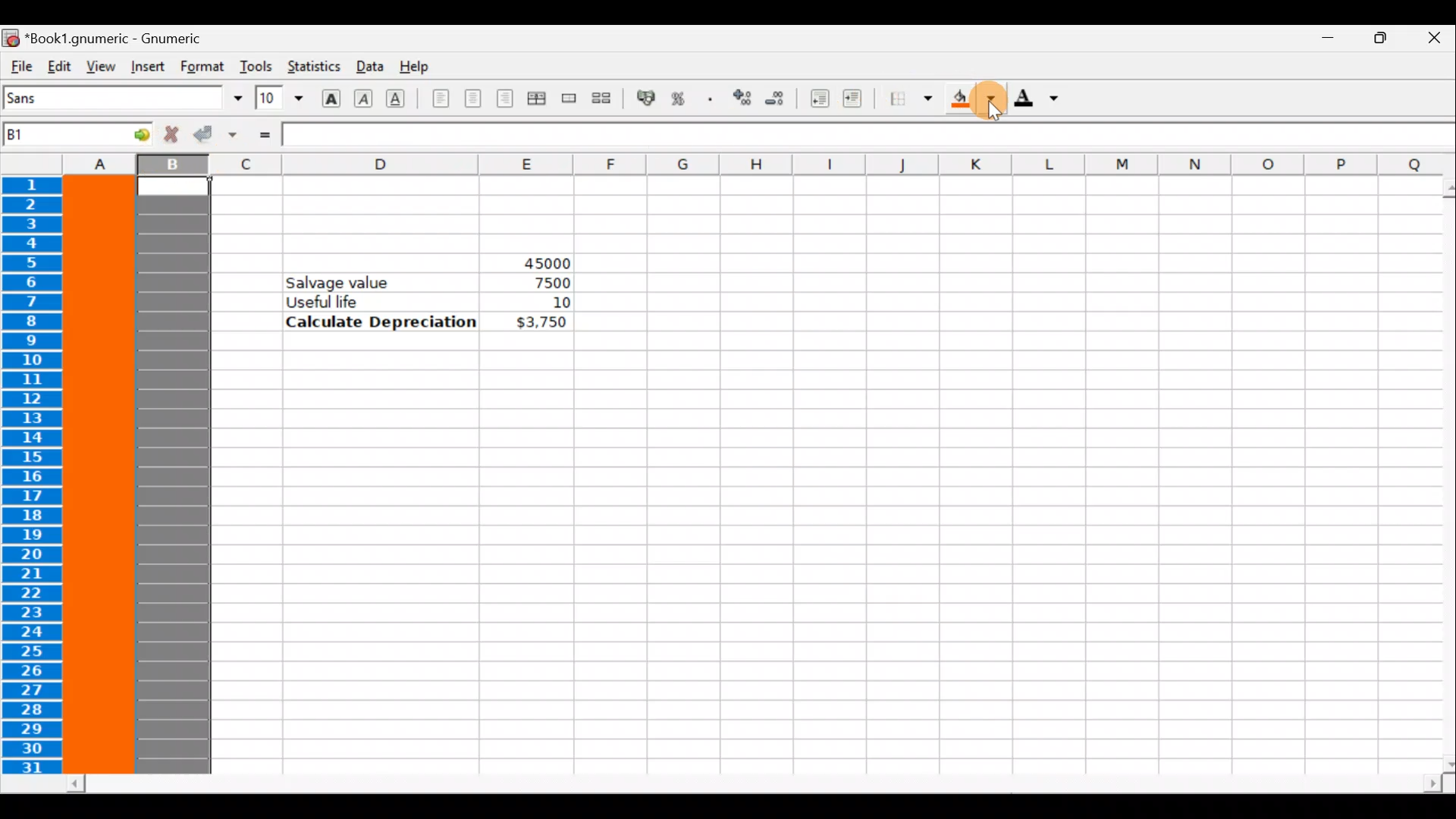 This screenshot has width=1456, height=819. I want to click on Close, so click(1433, 40).